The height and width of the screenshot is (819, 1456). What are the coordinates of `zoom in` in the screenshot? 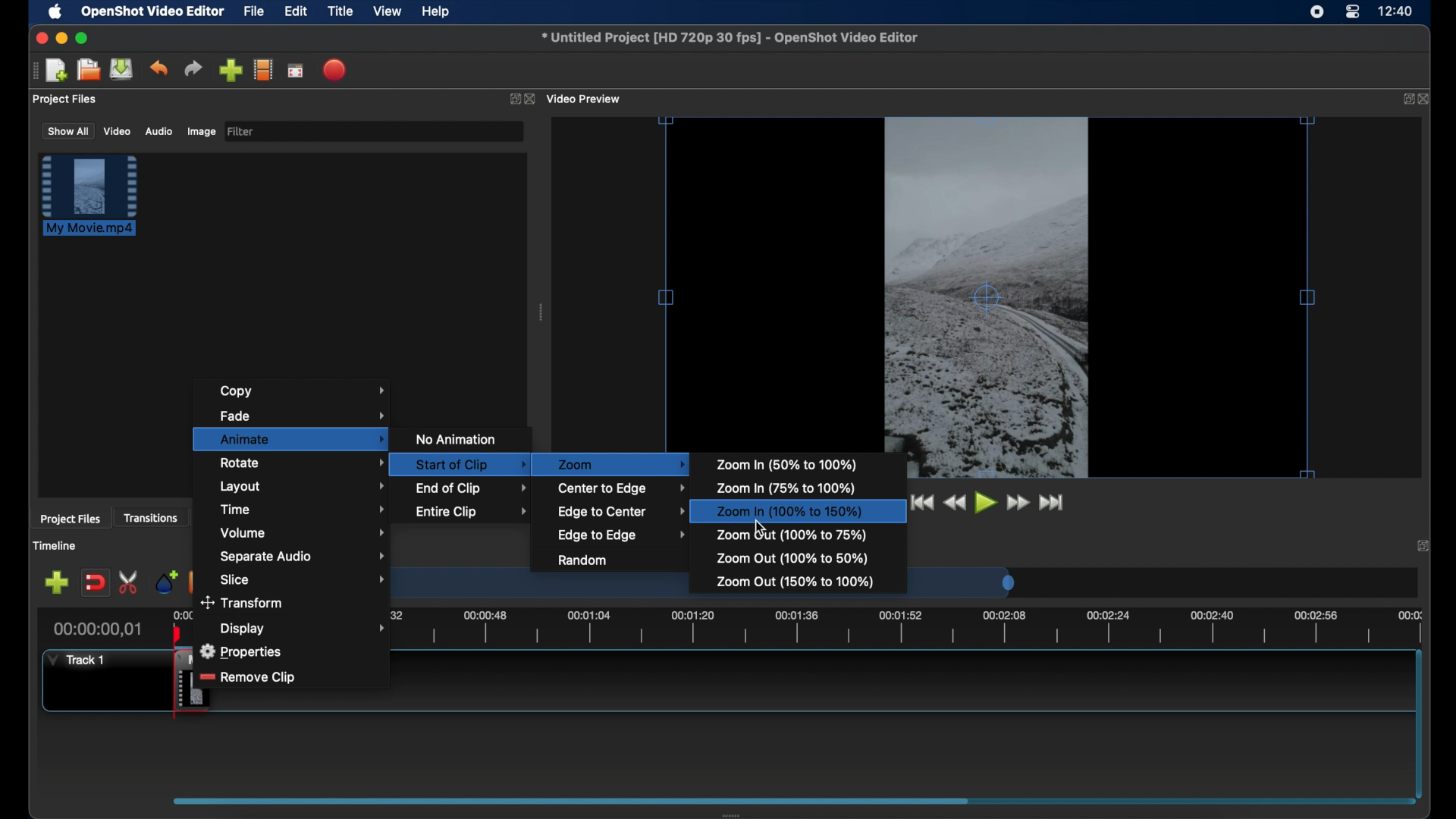 It's located at (786, 488).